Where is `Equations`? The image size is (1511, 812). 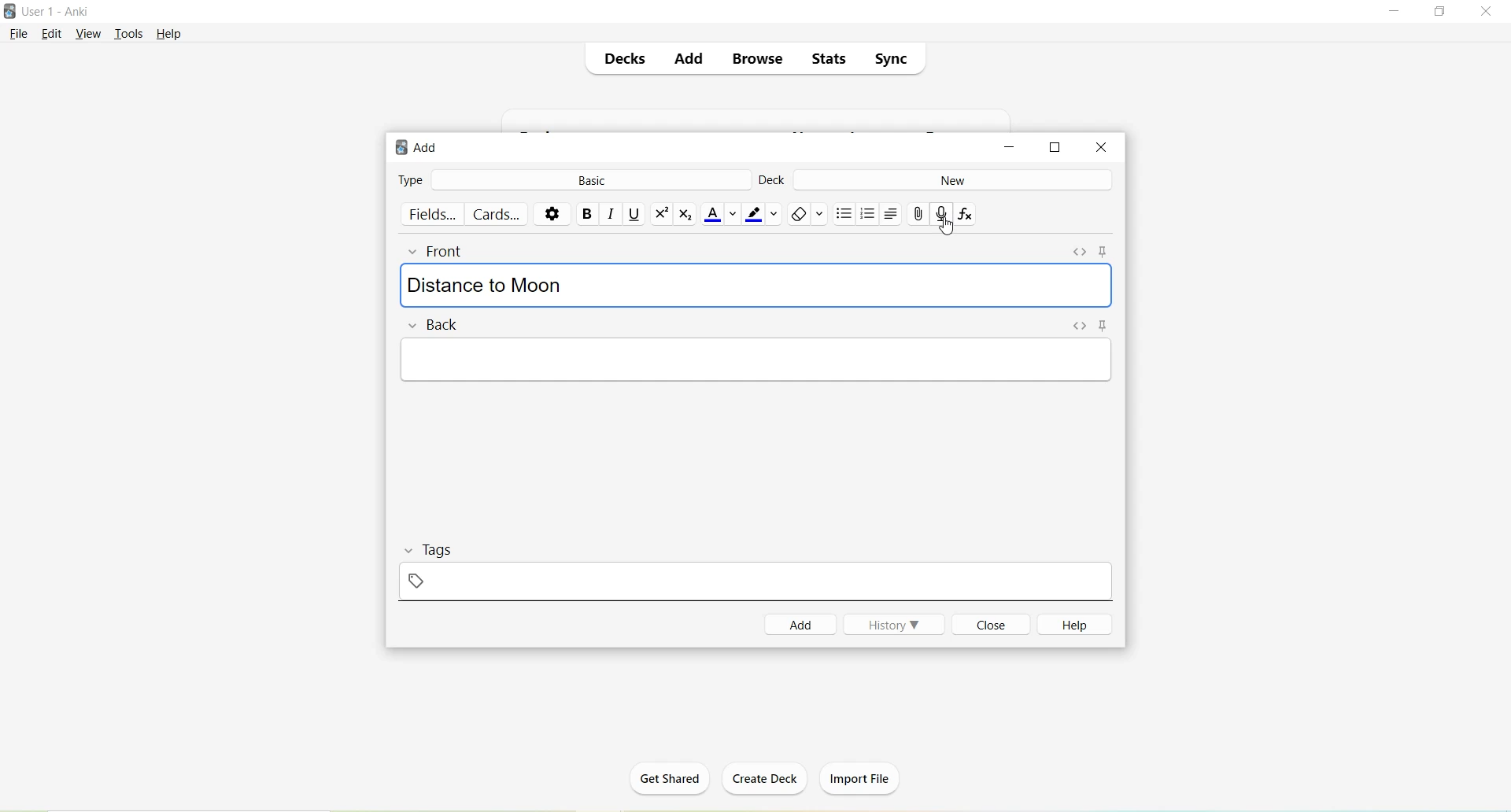
Equations is located at coordinates (968, 216).